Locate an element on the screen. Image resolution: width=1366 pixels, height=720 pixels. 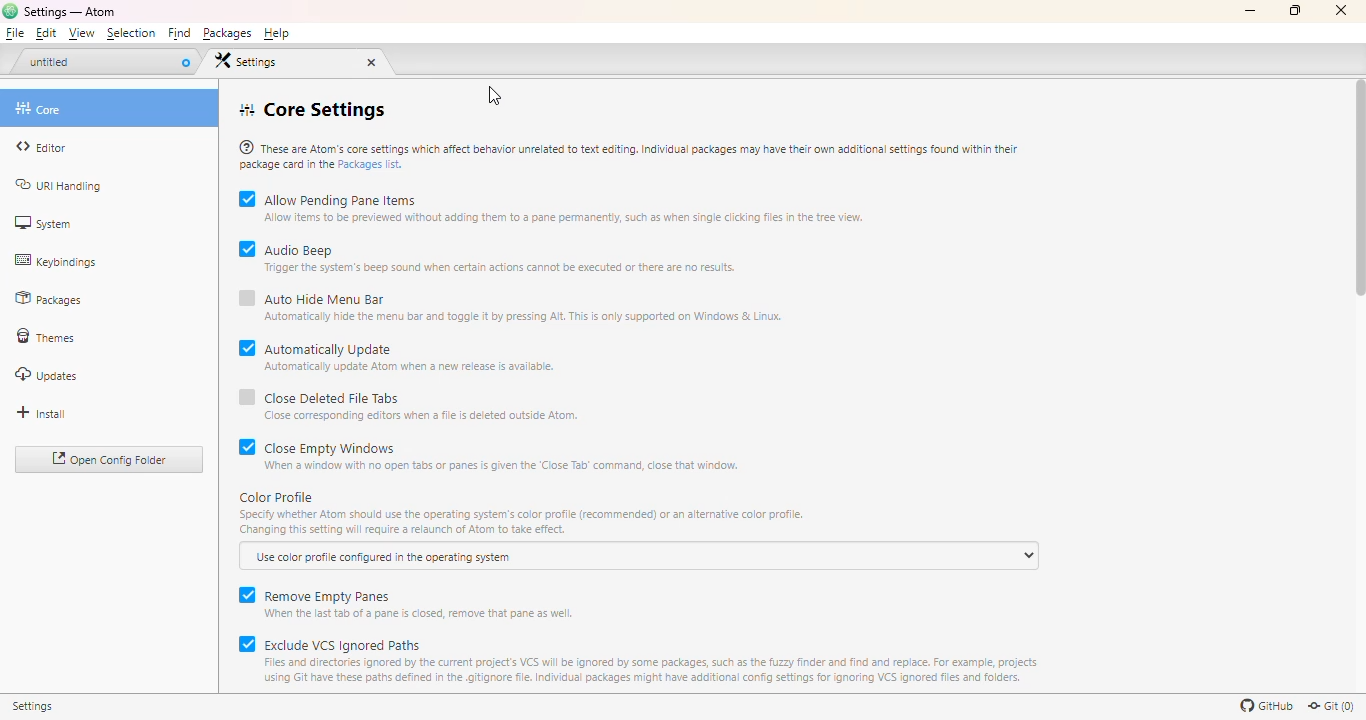
Selection is located at coordinates (131, 34).